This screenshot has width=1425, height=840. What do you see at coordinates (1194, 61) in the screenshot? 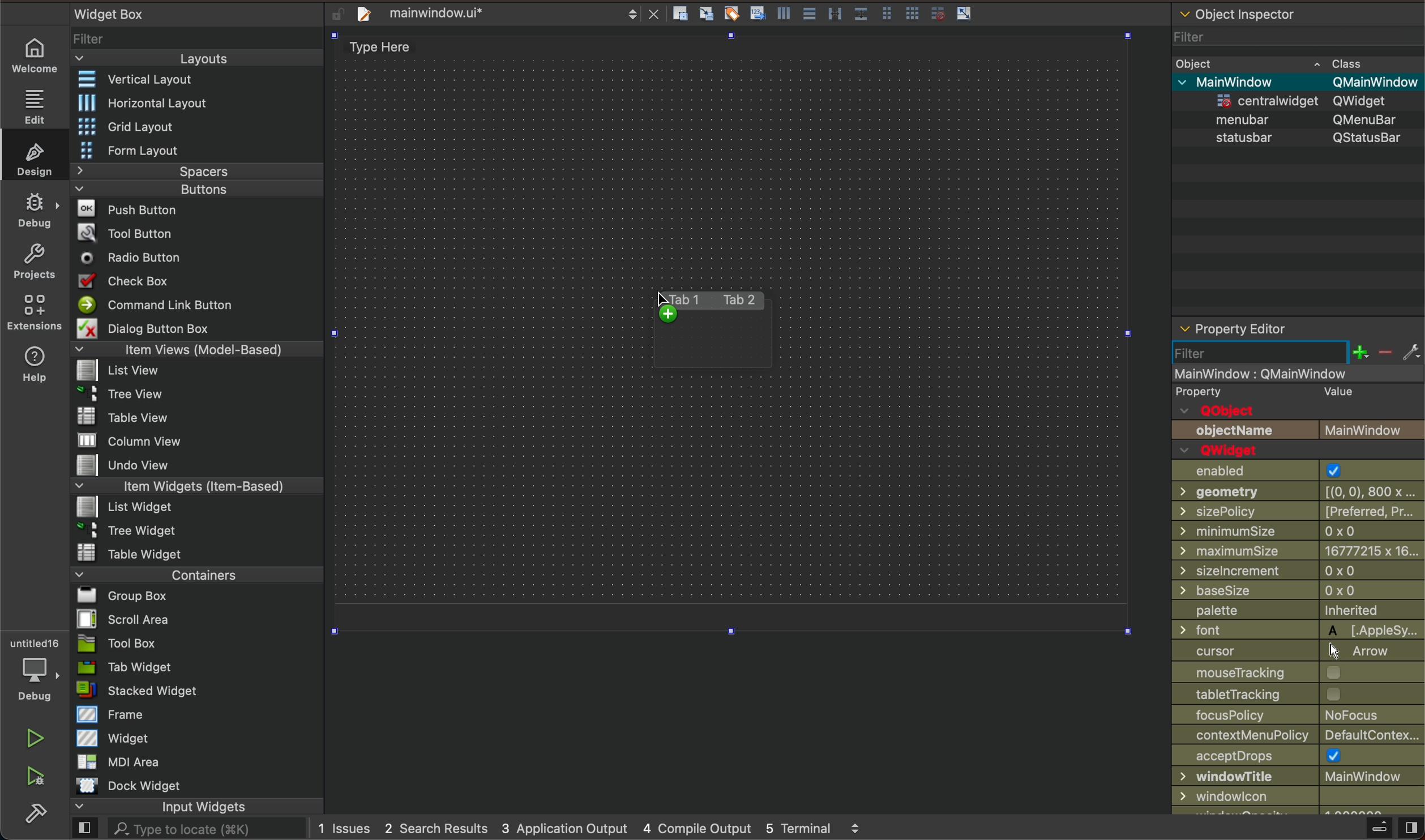
I see `Obiect` at bounding box center [1194, 61].